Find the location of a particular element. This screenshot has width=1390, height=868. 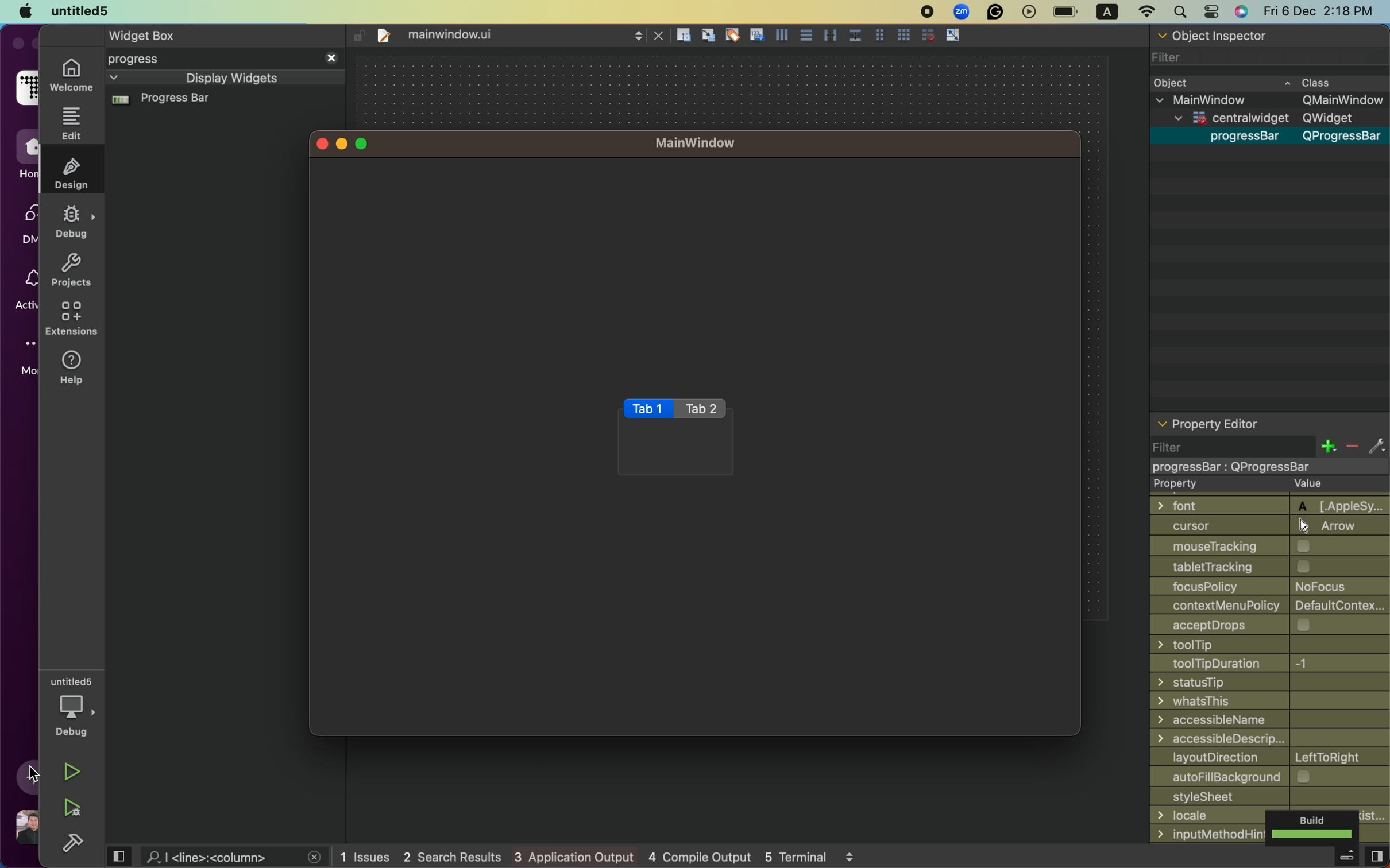

search is located at coordinates (1181, 11).